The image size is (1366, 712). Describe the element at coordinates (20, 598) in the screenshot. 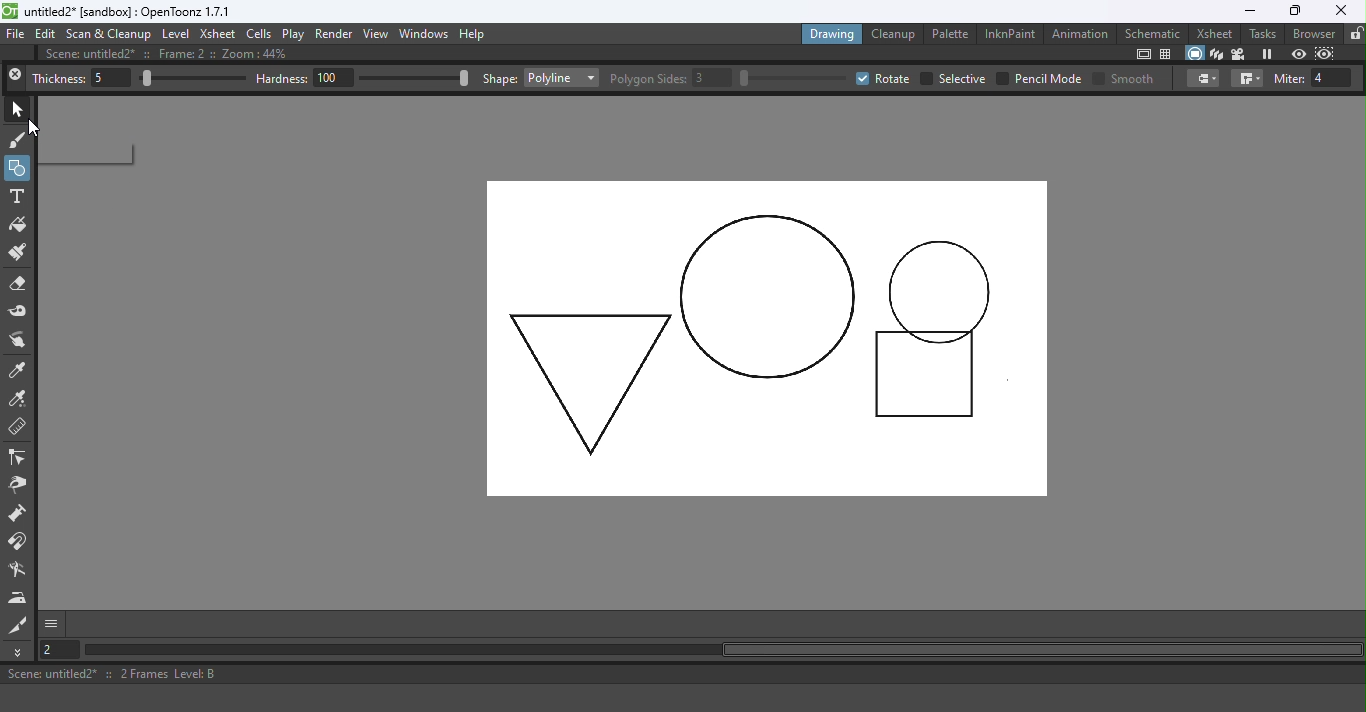

I see `Iron tool` at that location.